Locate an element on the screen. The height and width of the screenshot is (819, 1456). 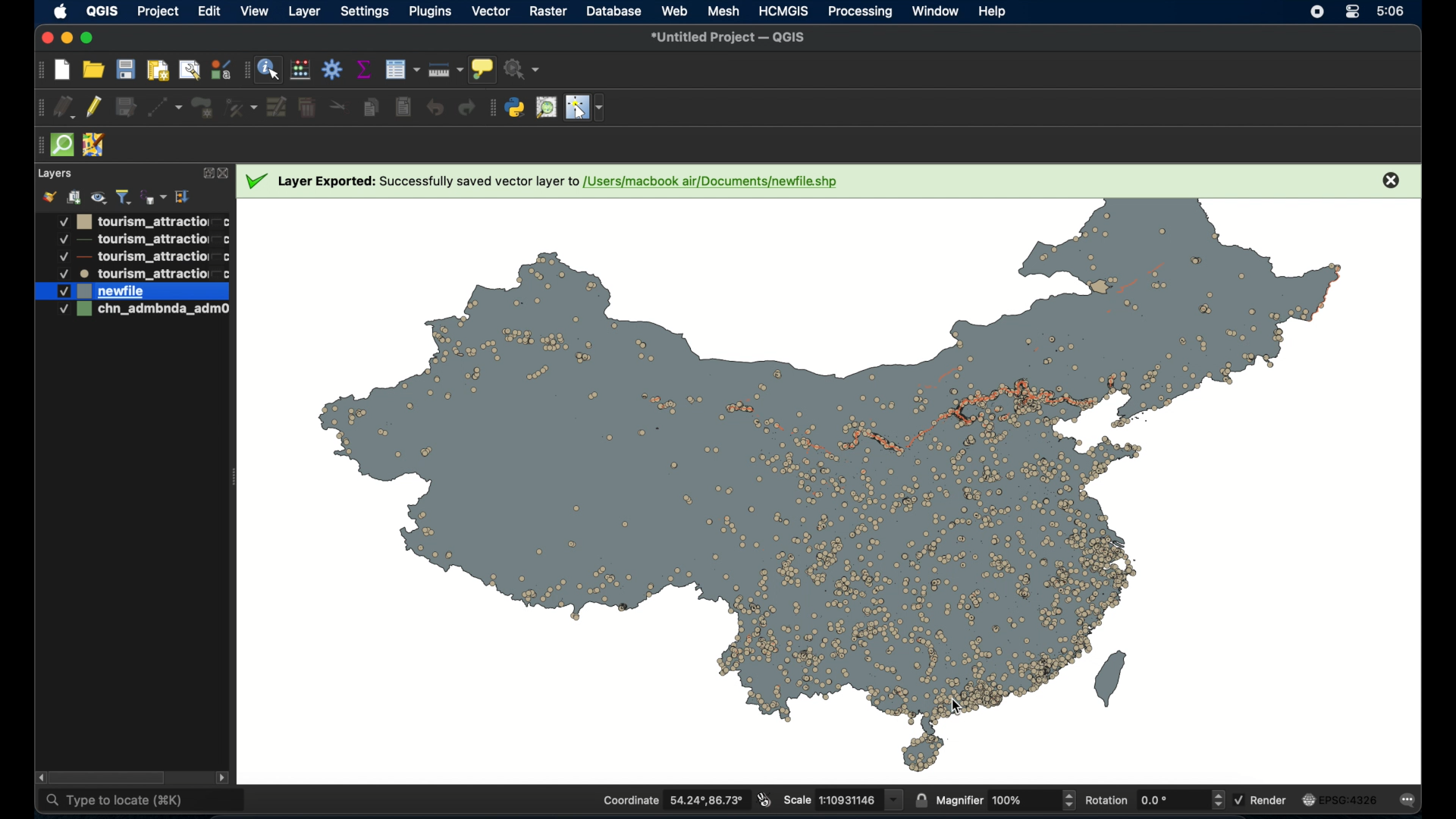
settings is located at coordinates (364, 13).